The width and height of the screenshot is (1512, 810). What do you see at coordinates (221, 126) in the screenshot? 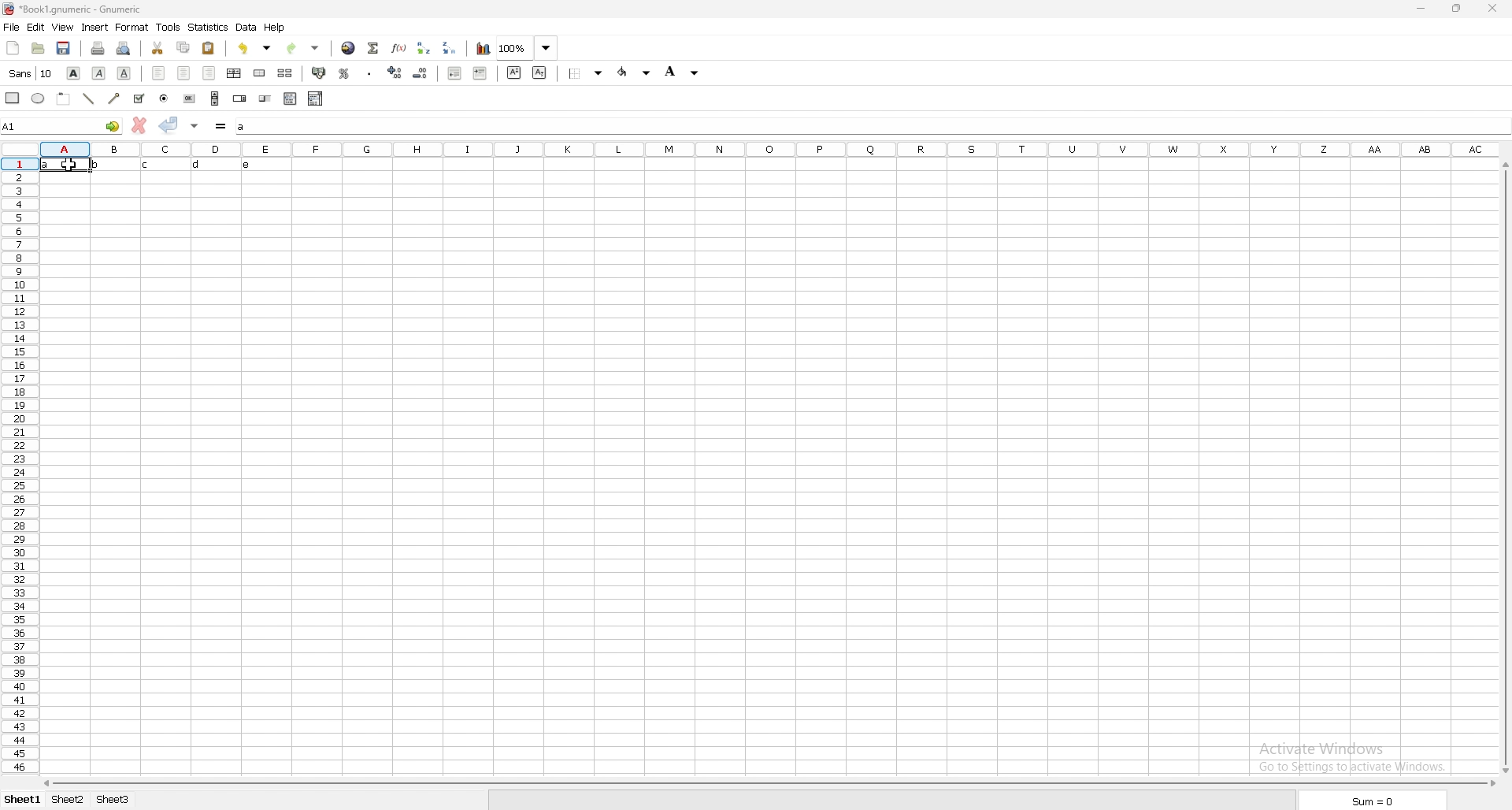
I see `formula` at bounding box center [221, 126].